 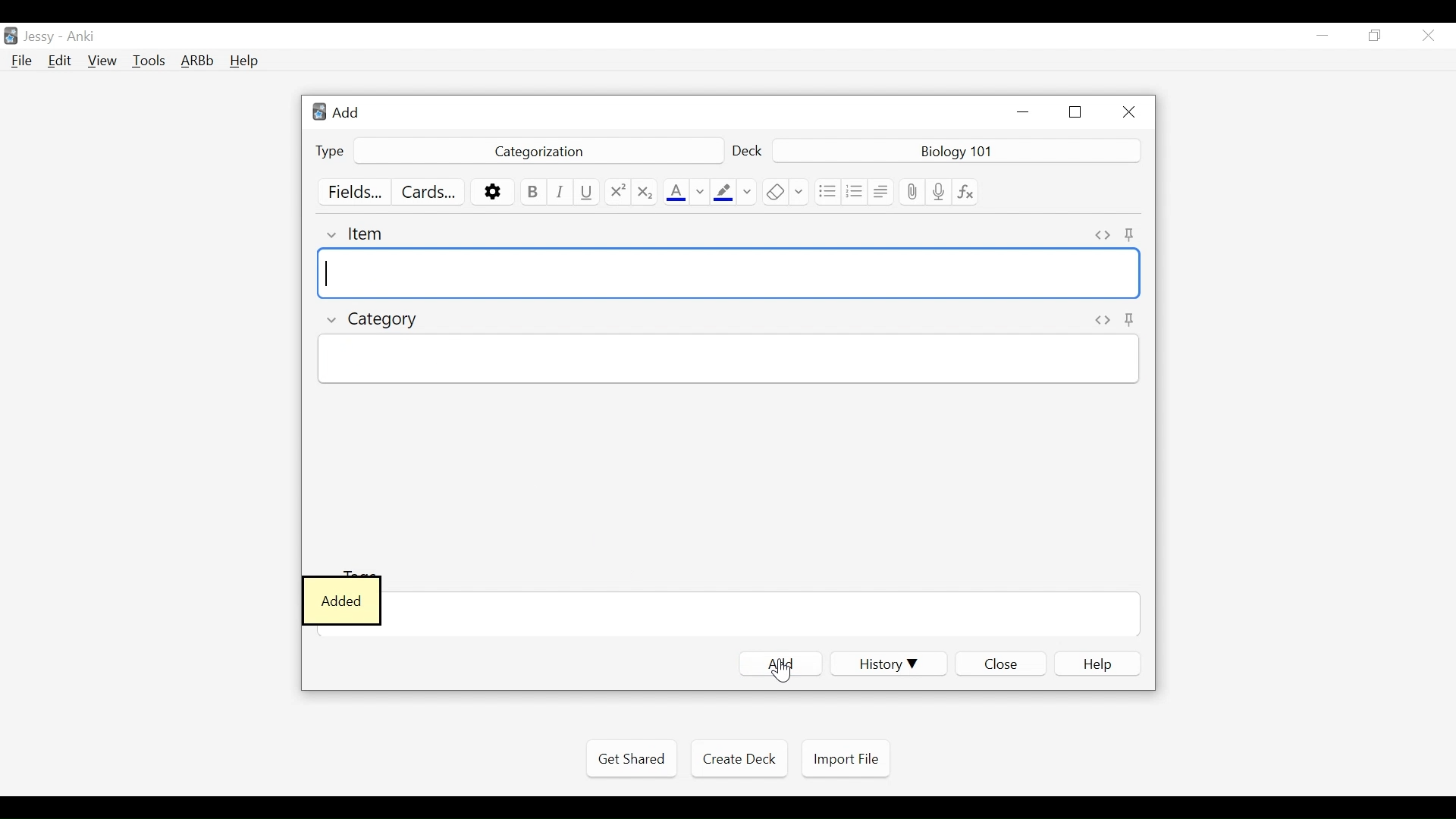 What do you see at coordinates (734, 192) in the screenshot?
I see `Text Highlighting color` at bounding box center [734, 192].